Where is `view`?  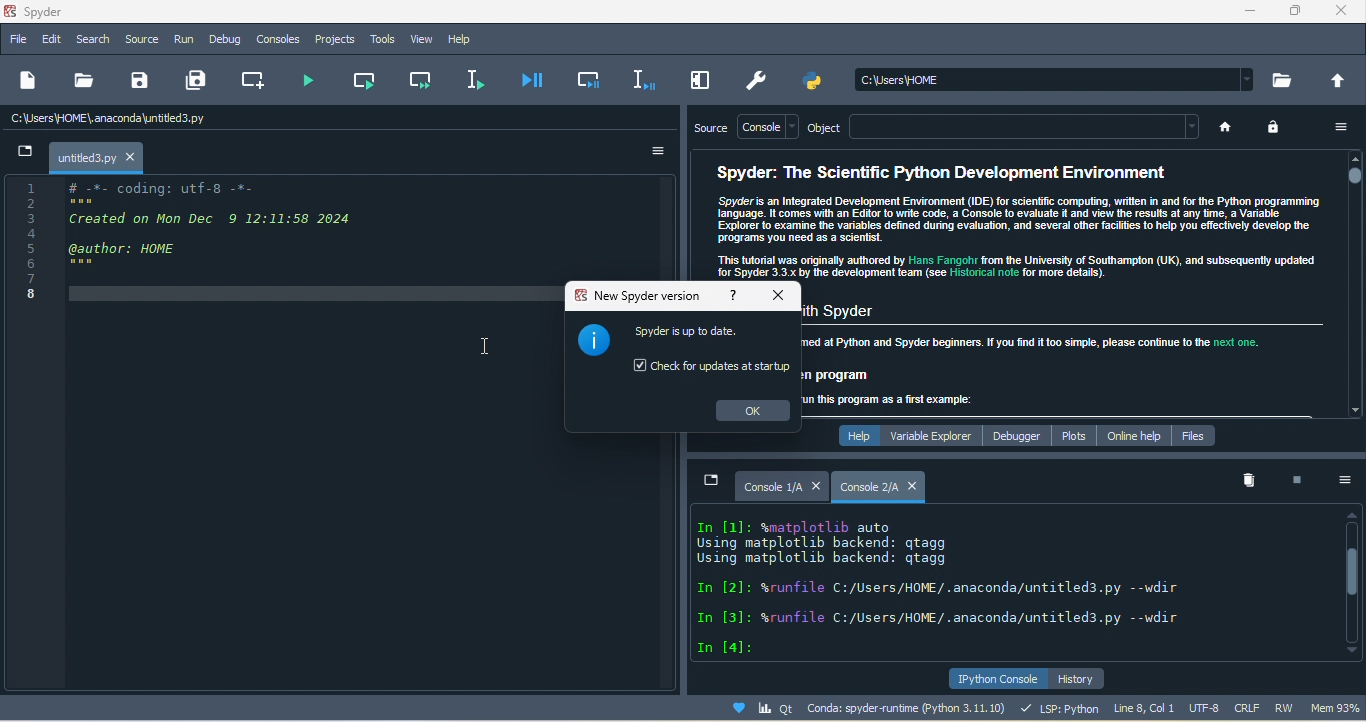 view is located at coordinates (421, 40).